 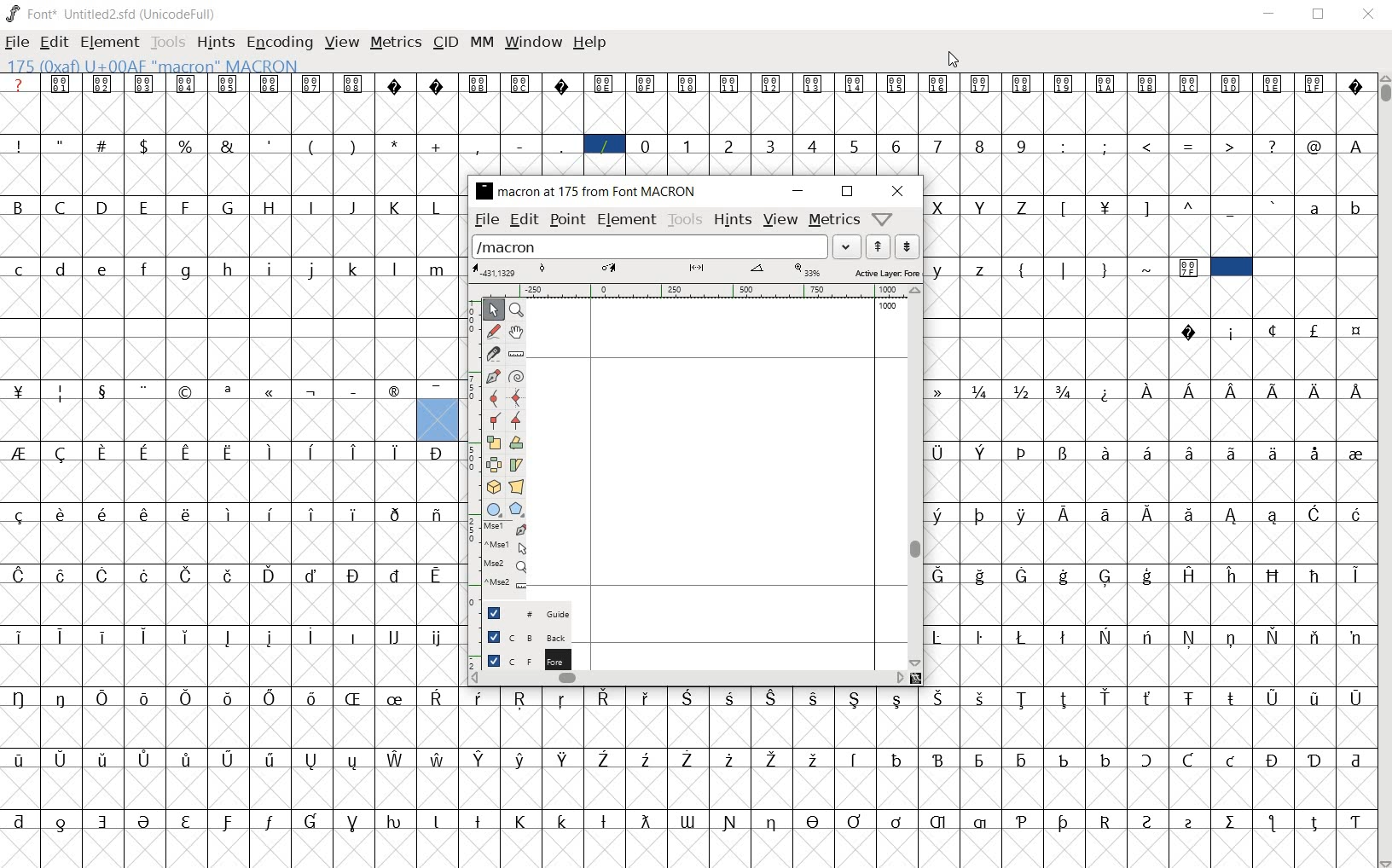 I want to click on Symbol, so click(x=312, y=635).